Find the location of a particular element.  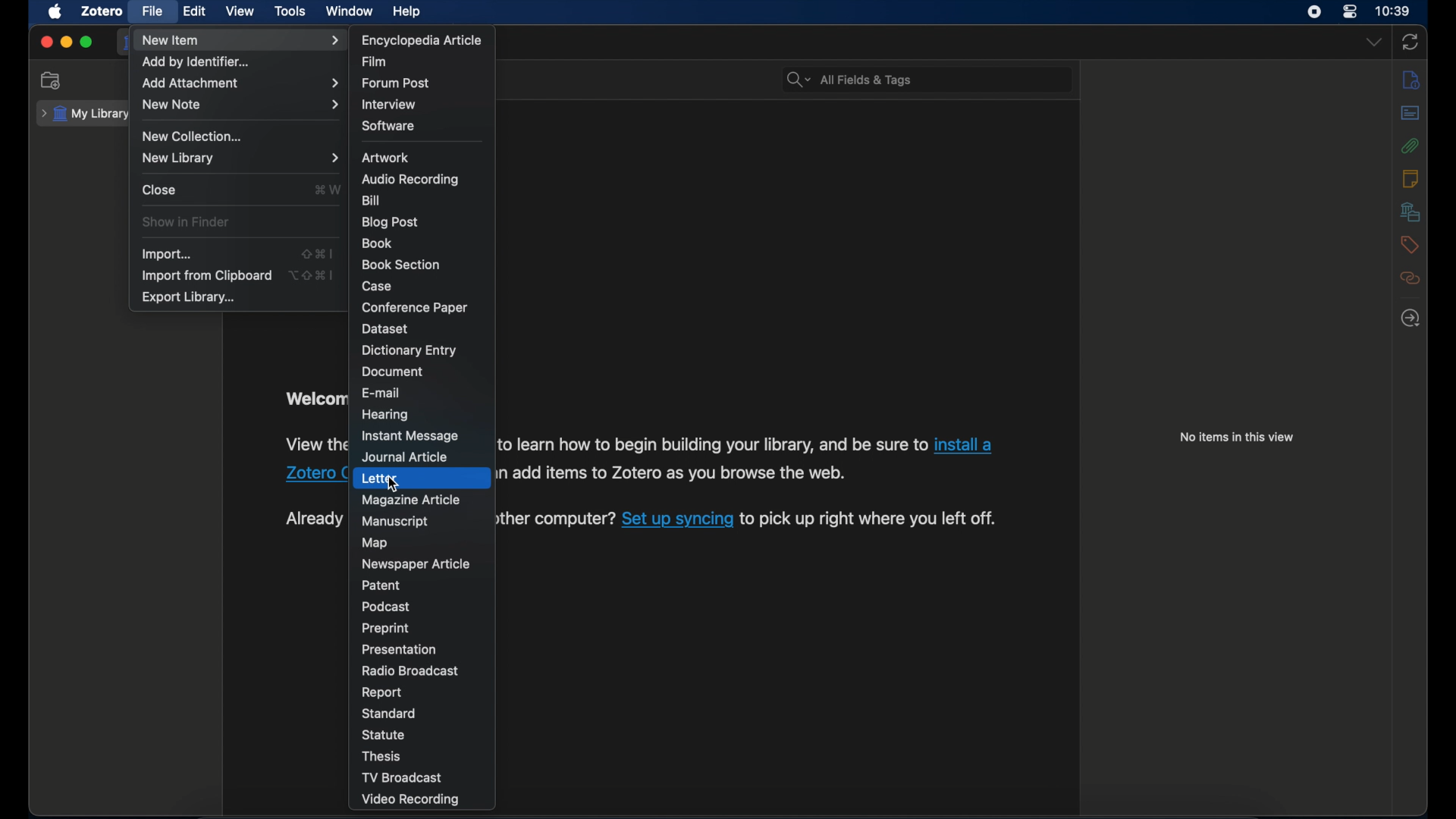

presentation is located at coordinates (402, 649).